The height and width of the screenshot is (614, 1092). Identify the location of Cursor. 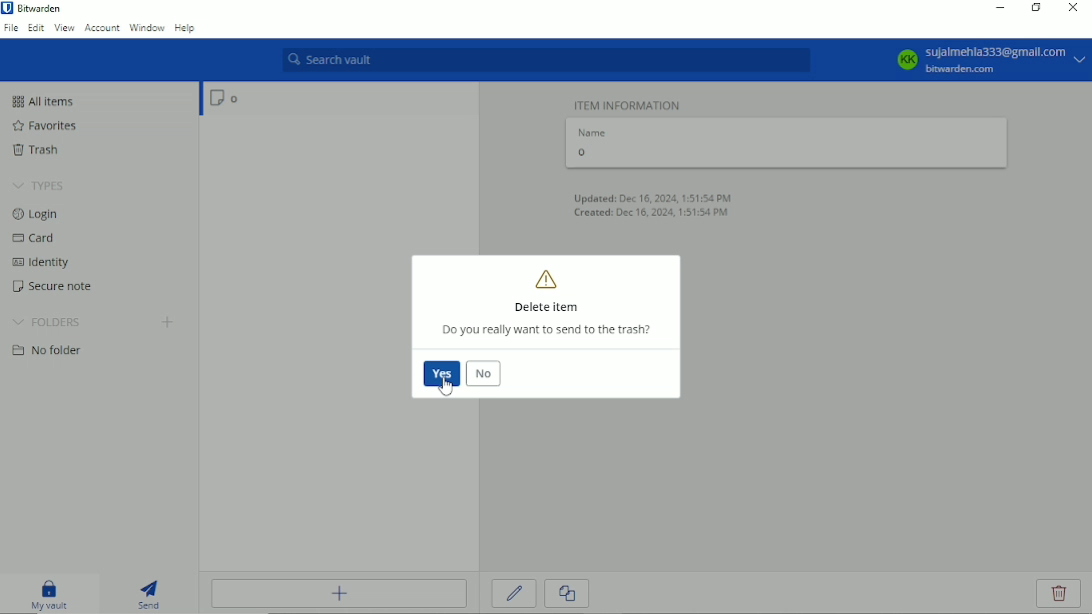
(444, 382).